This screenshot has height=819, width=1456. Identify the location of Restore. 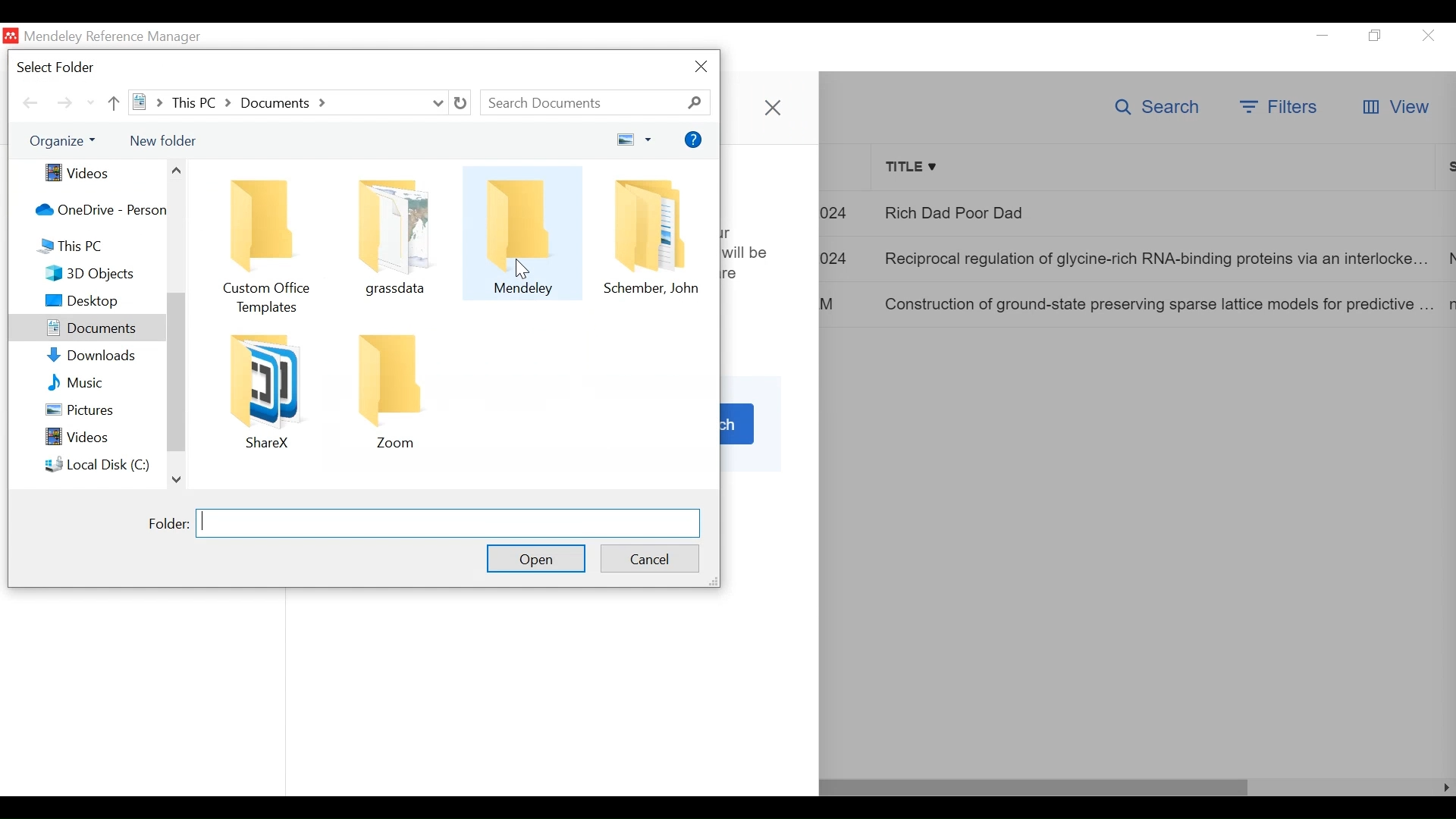
(1378, 35).